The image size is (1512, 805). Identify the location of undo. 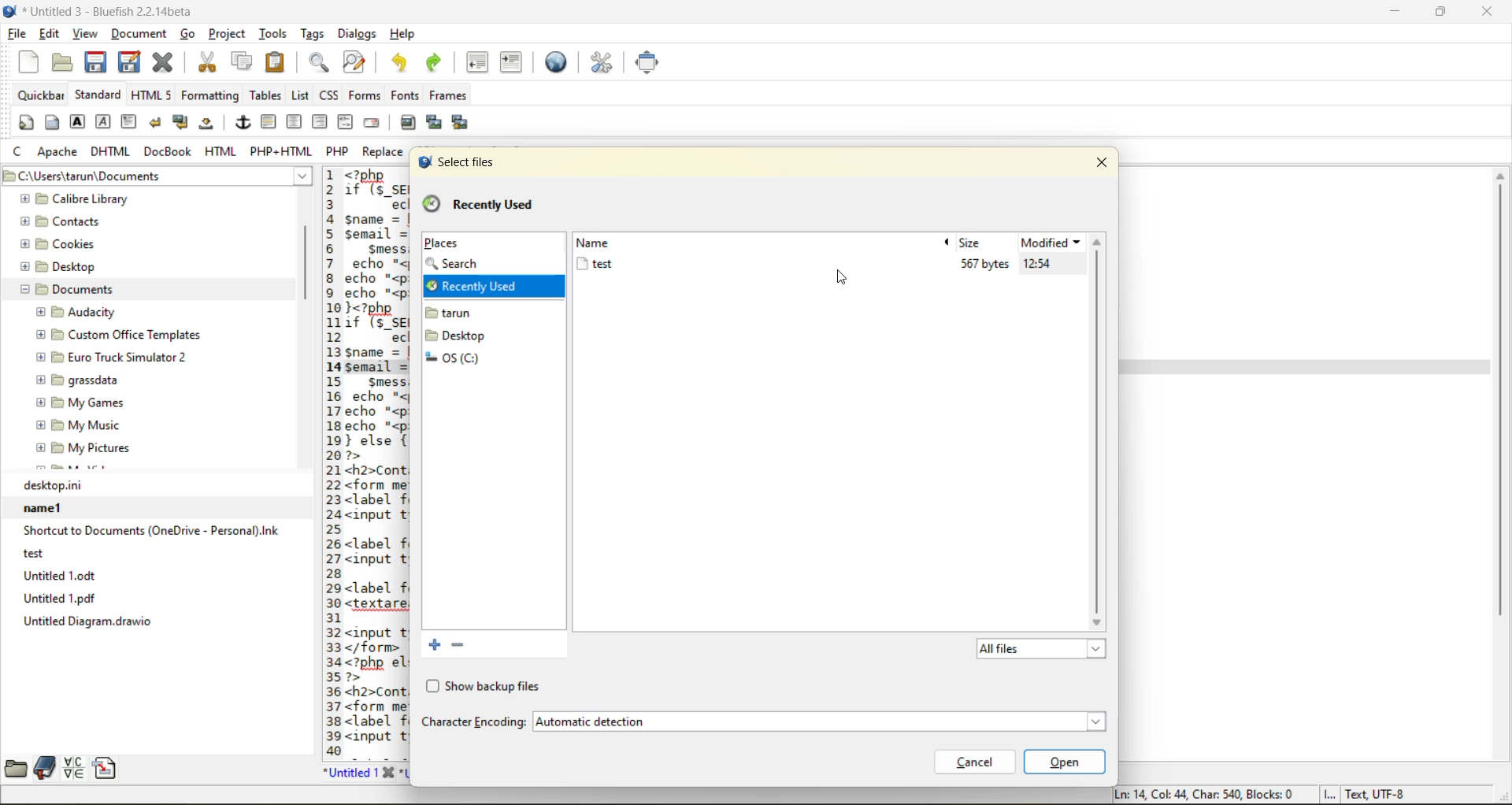
(398, 62).